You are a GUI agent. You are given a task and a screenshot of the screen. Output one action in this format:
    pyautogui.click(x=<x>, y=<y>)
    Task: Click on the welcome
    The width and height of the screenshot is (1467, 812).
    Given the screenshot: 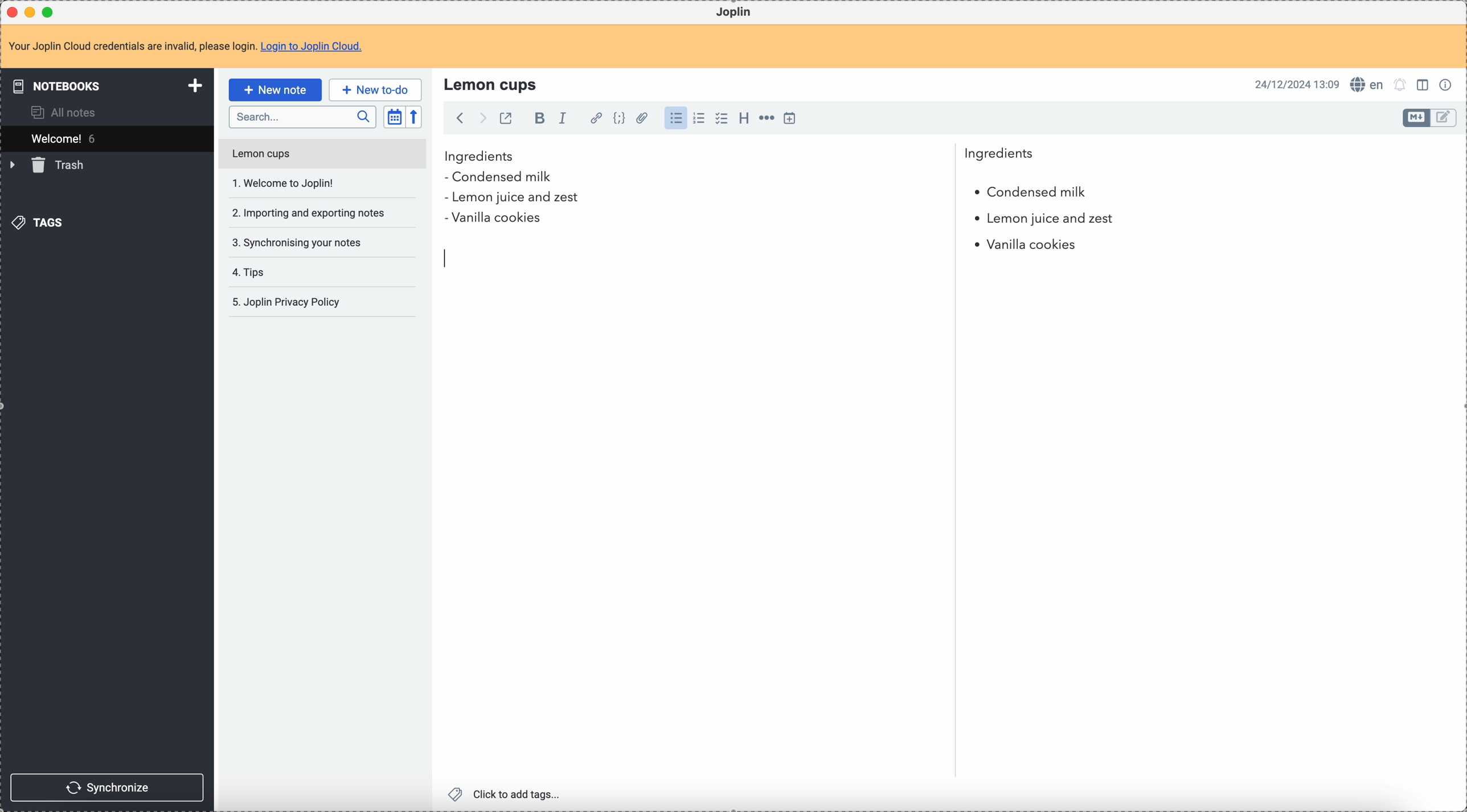 What is the action you would take?
    pyautogui.click(x=106, y=138)
    